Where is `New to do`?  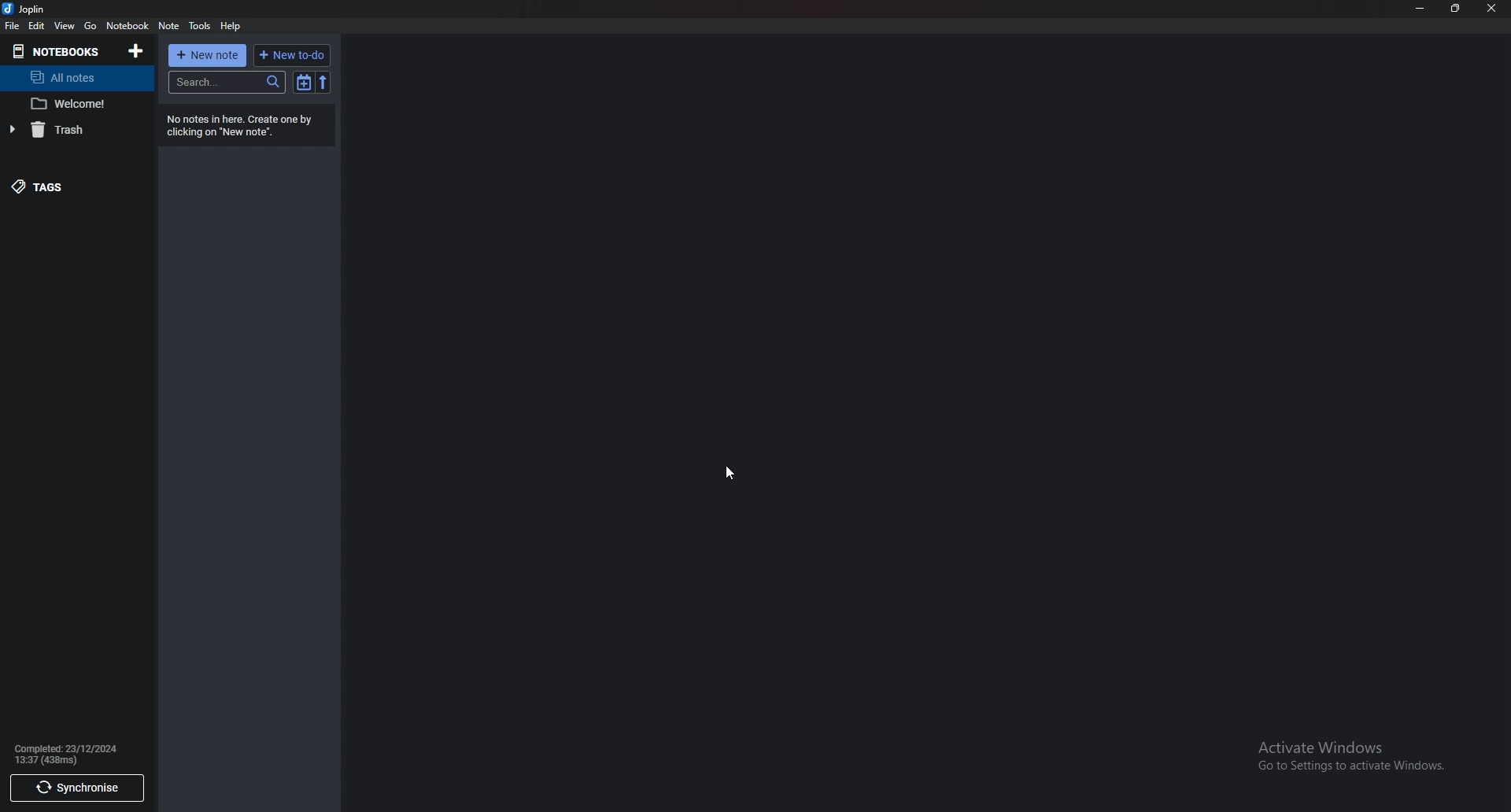 New to do is located at coordinates (292, 55).